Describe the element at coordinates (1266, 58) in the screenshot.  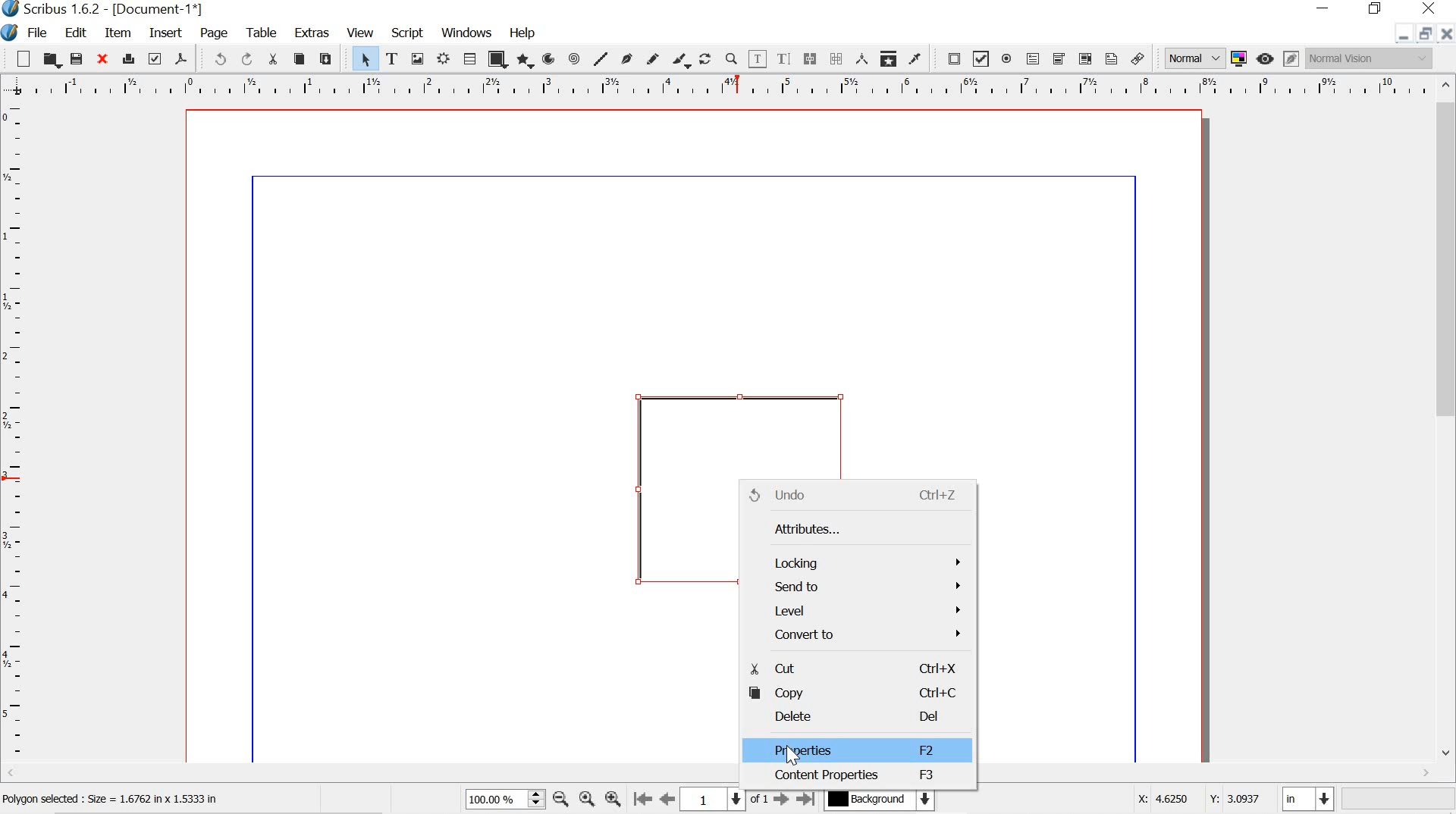
I see `PREVIEW MODE` at that location.